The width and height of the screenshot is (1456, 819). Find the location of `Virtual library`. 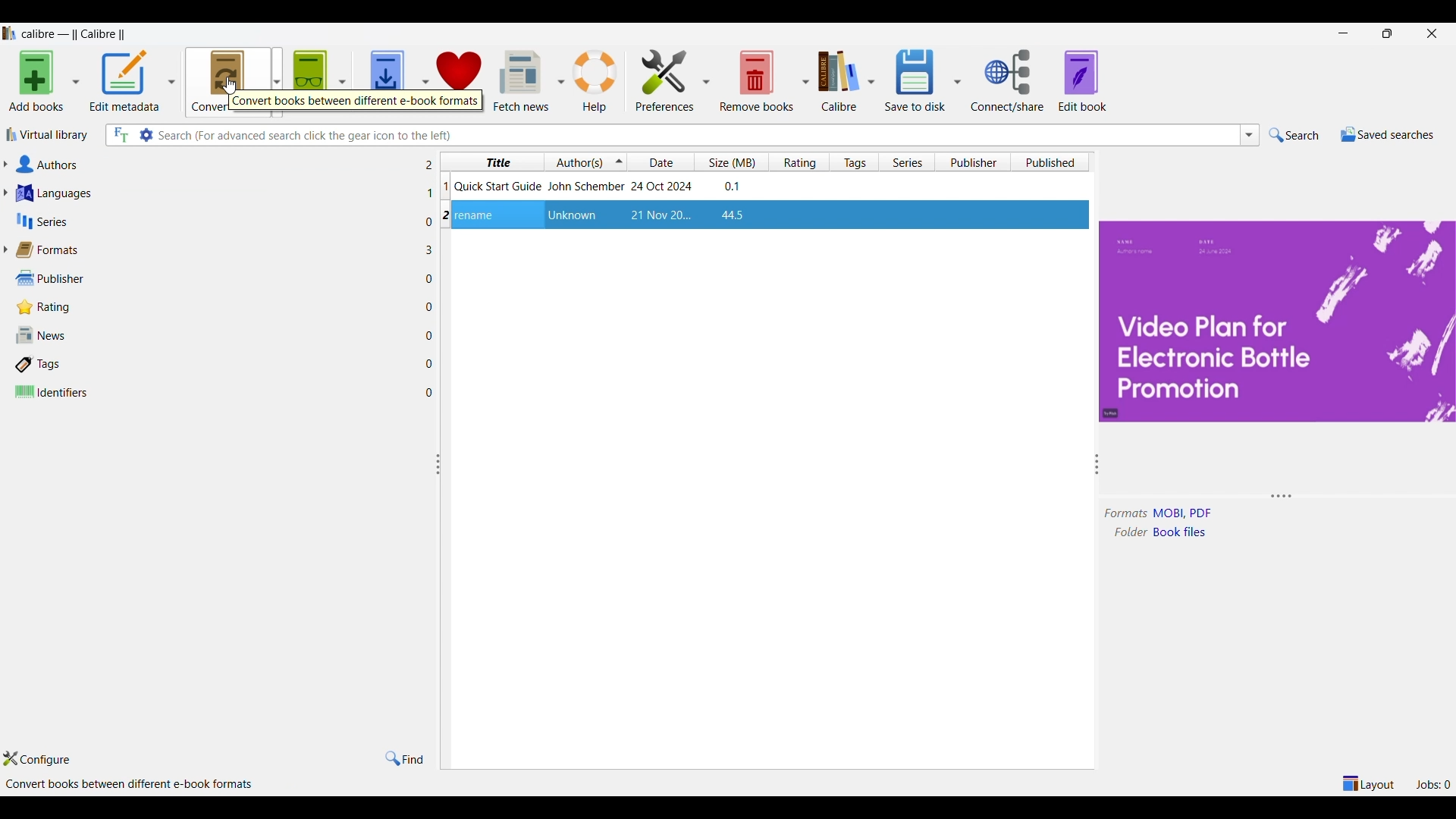

Virtual library is located at coordinates (47, 135).